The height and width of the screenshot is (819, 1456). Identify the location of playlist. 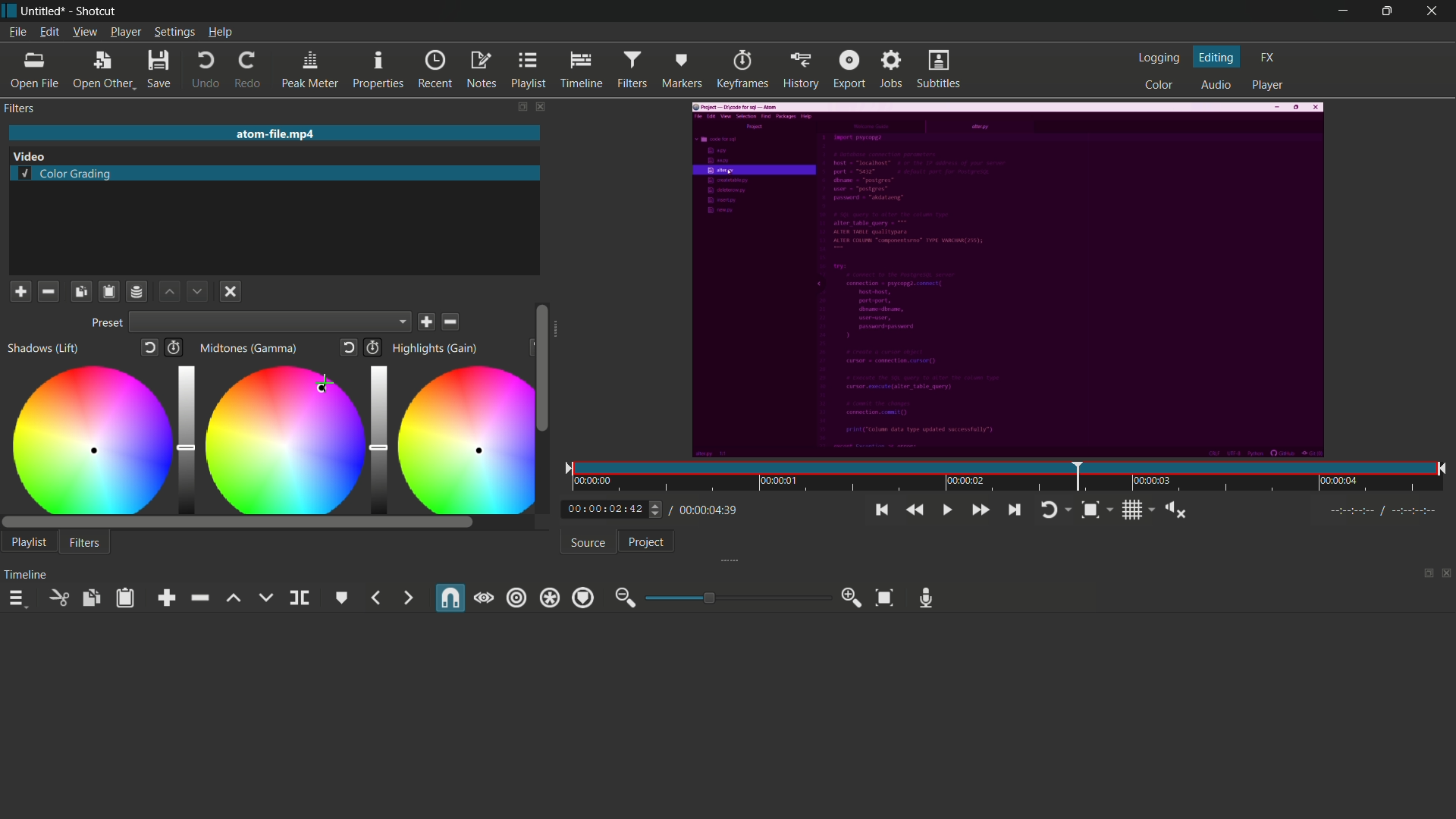
(528, 70).